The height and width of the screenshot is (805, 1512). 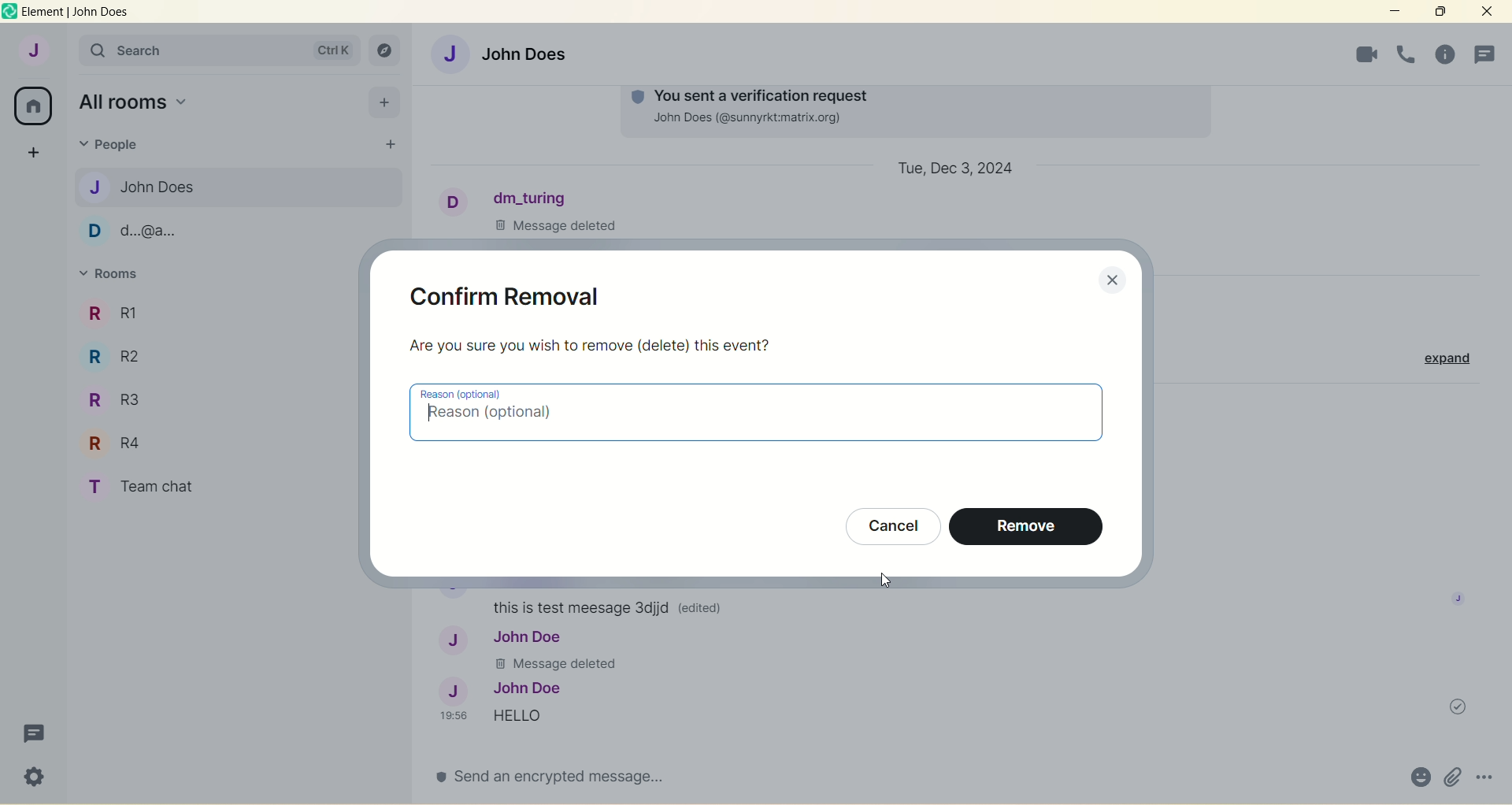 I want to click on people, so click(x=116, y=147).